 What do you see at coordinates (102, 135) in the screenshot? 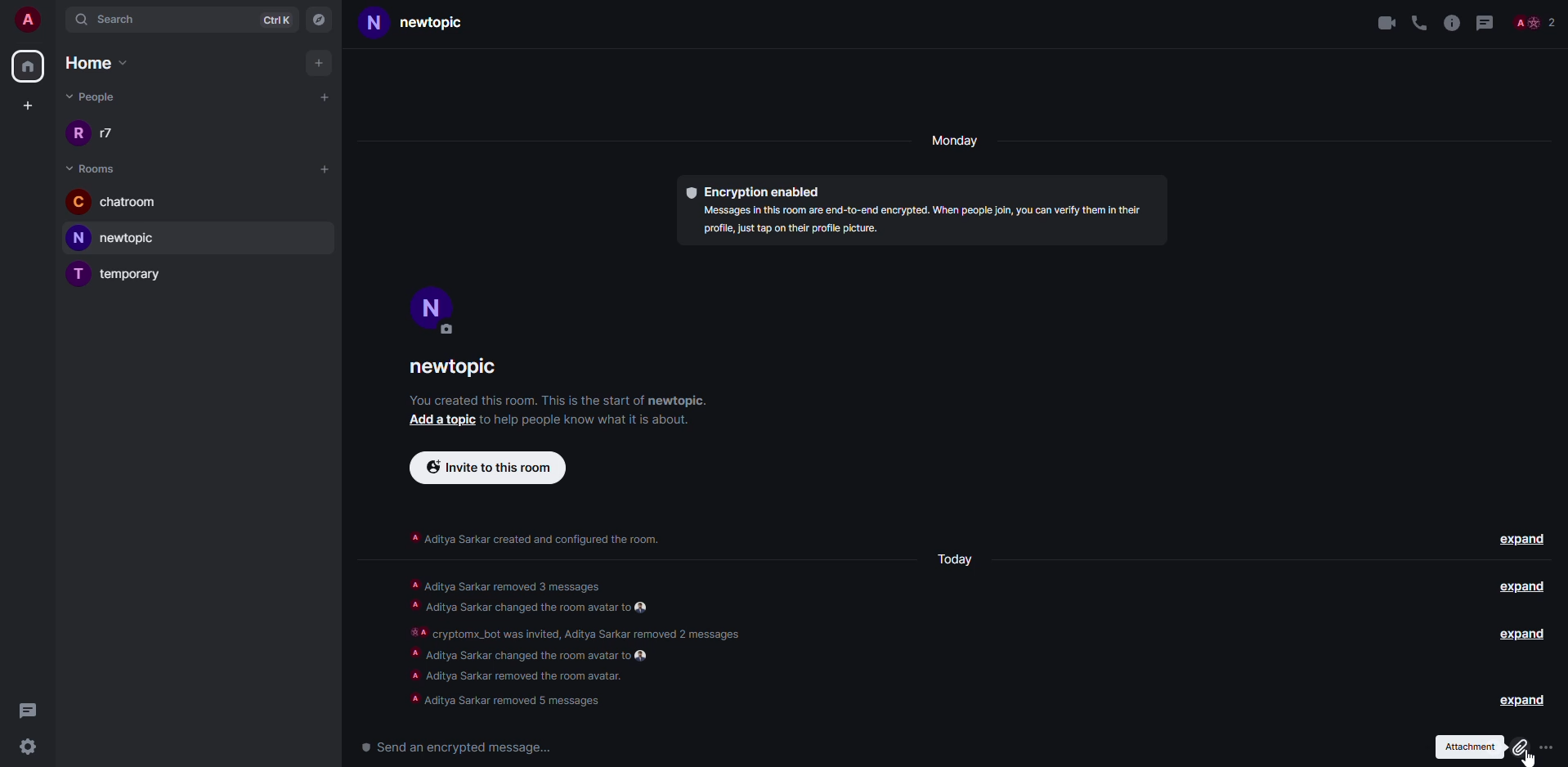
I see `people` at bounding box center [102, 135].